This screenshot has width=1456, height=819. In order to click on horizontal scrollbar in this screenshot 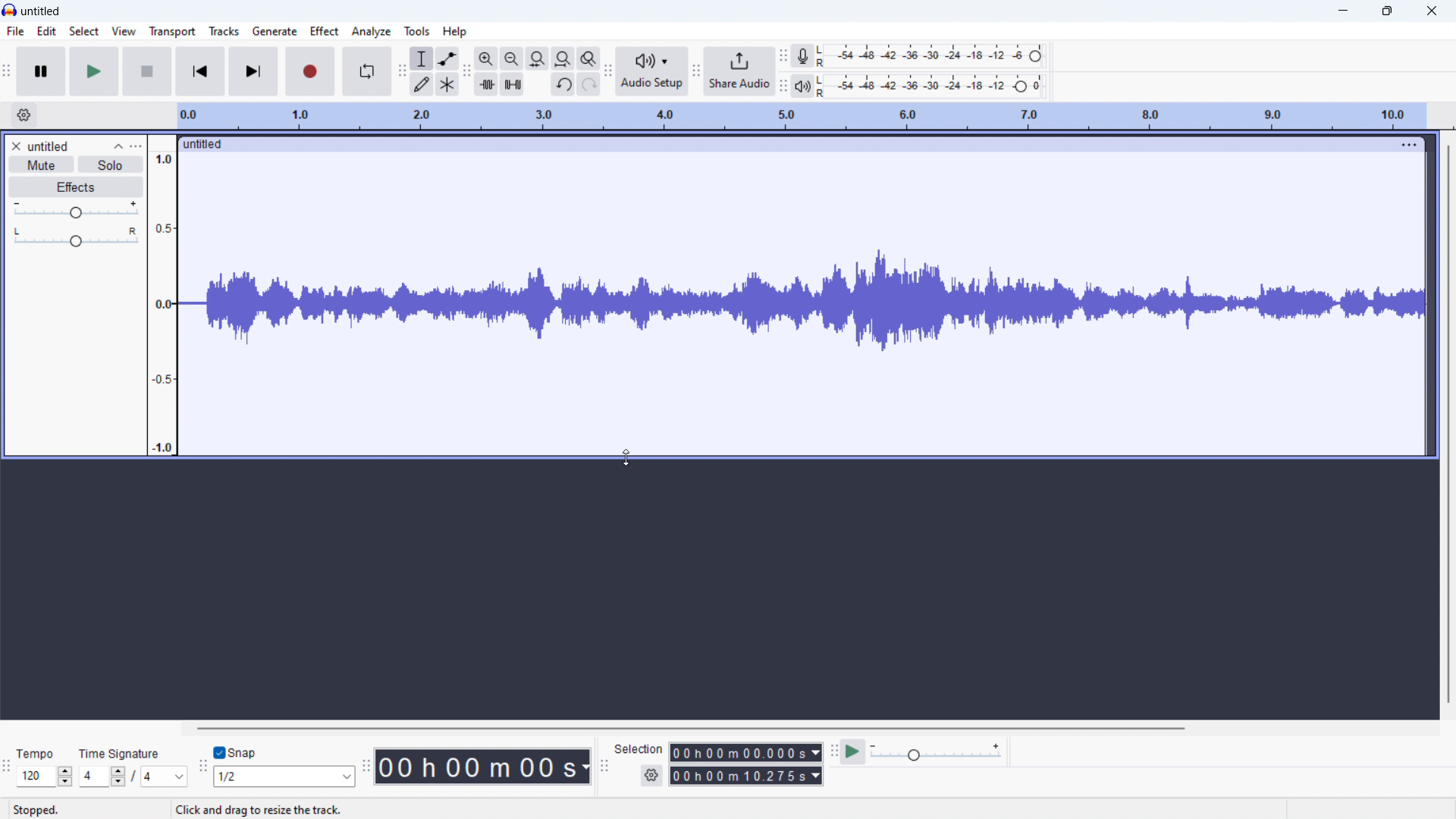, I will do `click(689, 726)`.